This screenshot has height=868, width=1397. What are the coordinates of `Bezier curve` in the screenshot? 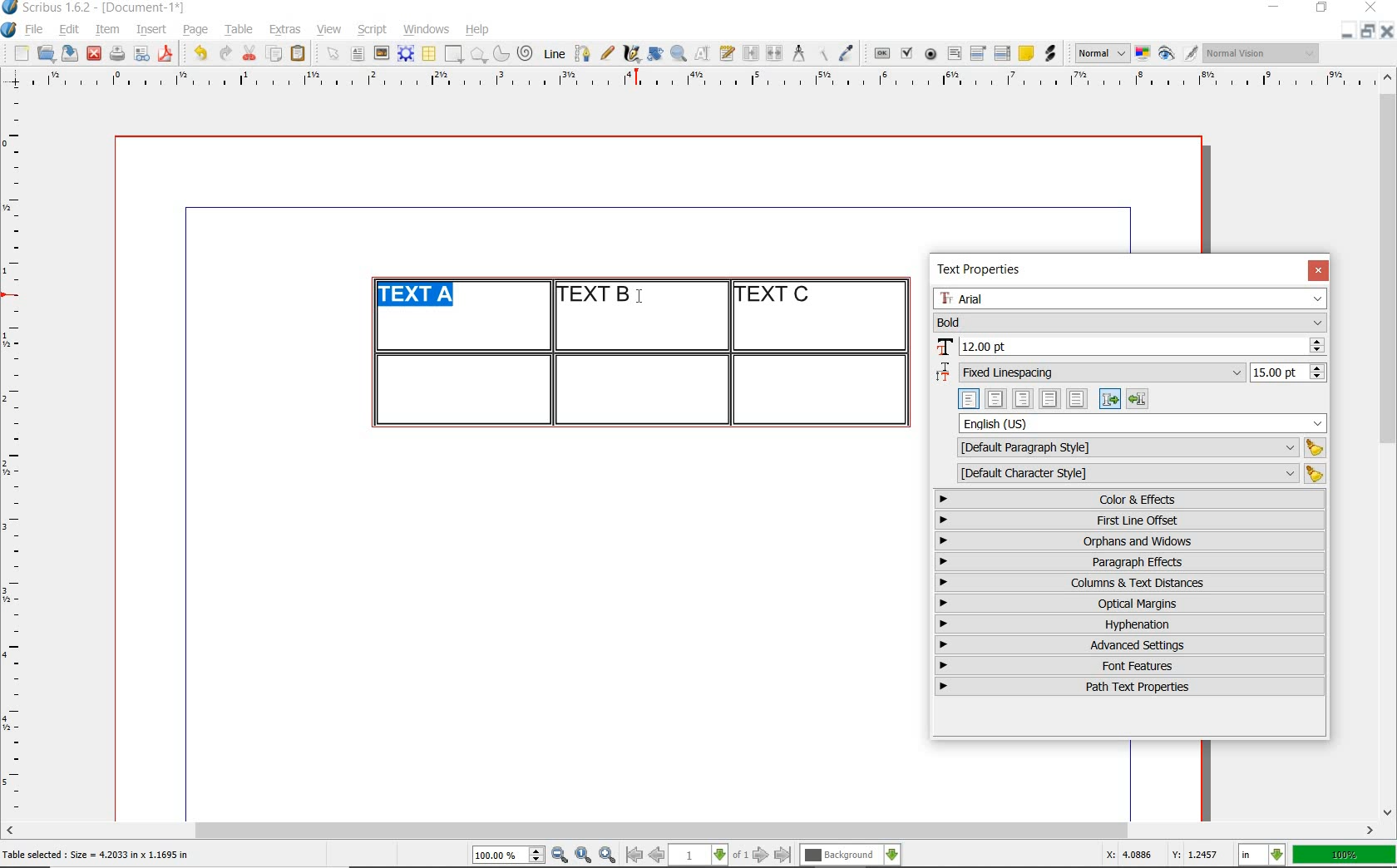 It's located at (581, 53).